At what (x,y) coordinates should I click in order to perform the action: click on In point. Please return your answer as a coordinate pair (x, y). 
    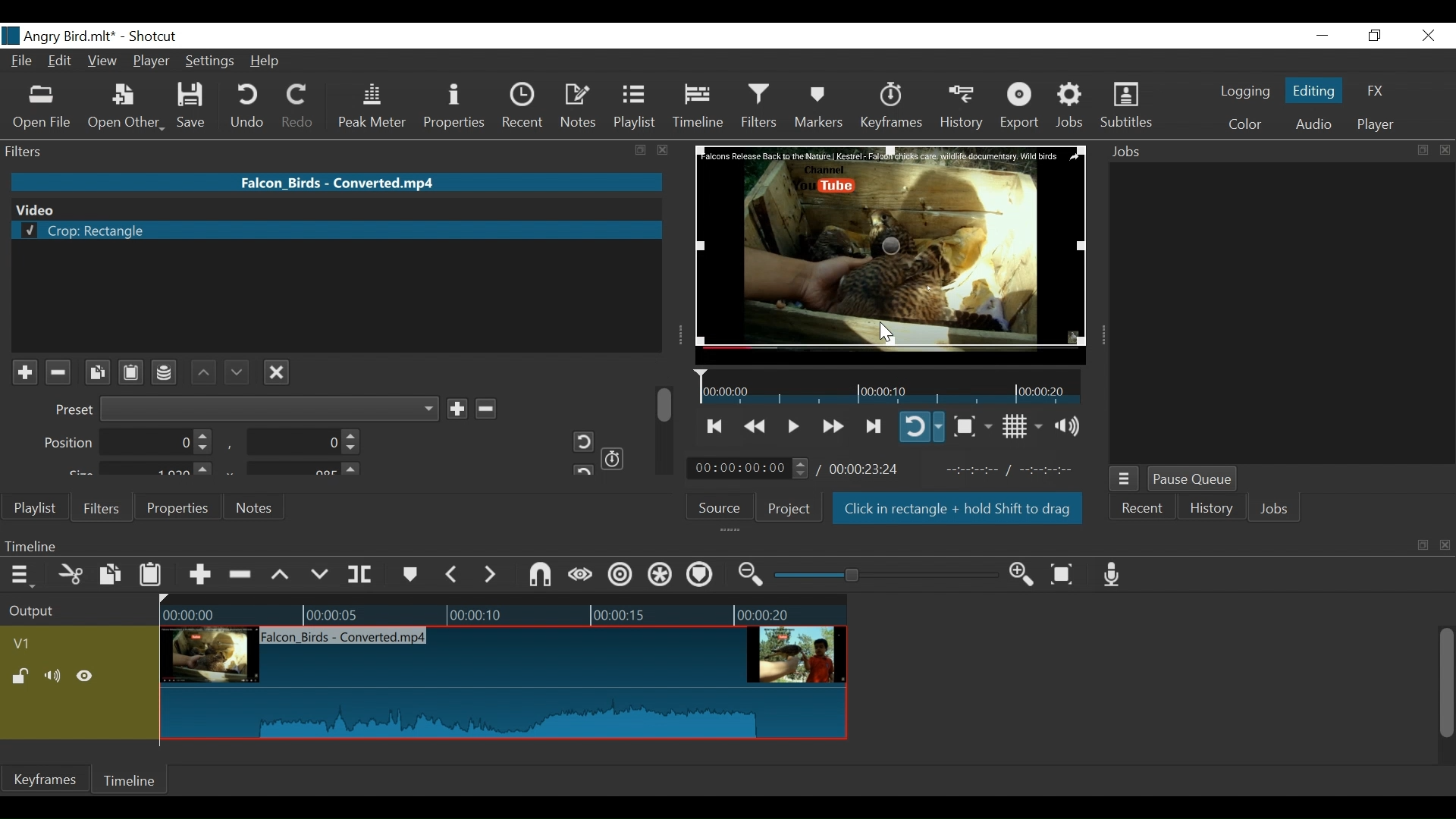
    Looking at the image, I should click on (1015, 470).